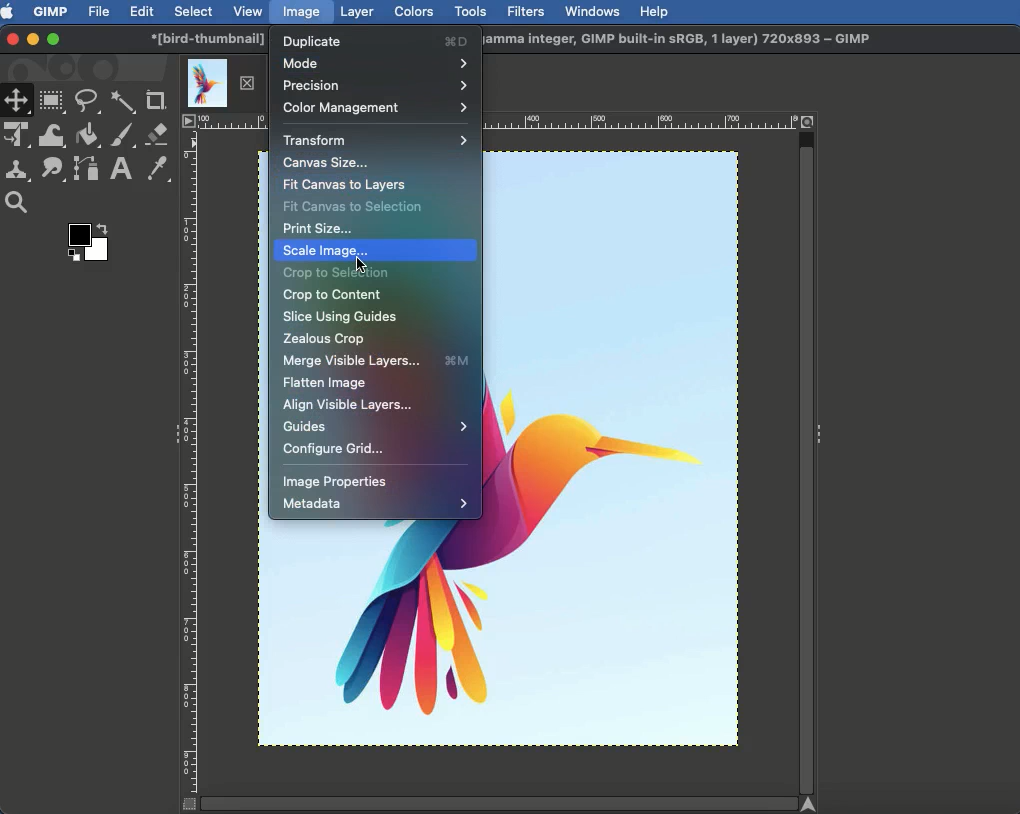 Image resolution: width=1020 pixels, height=814 pixels. What do you see at coordinates (378, 503) in the screenshot?
I see `Metadata` at bounding box center [378, 503].